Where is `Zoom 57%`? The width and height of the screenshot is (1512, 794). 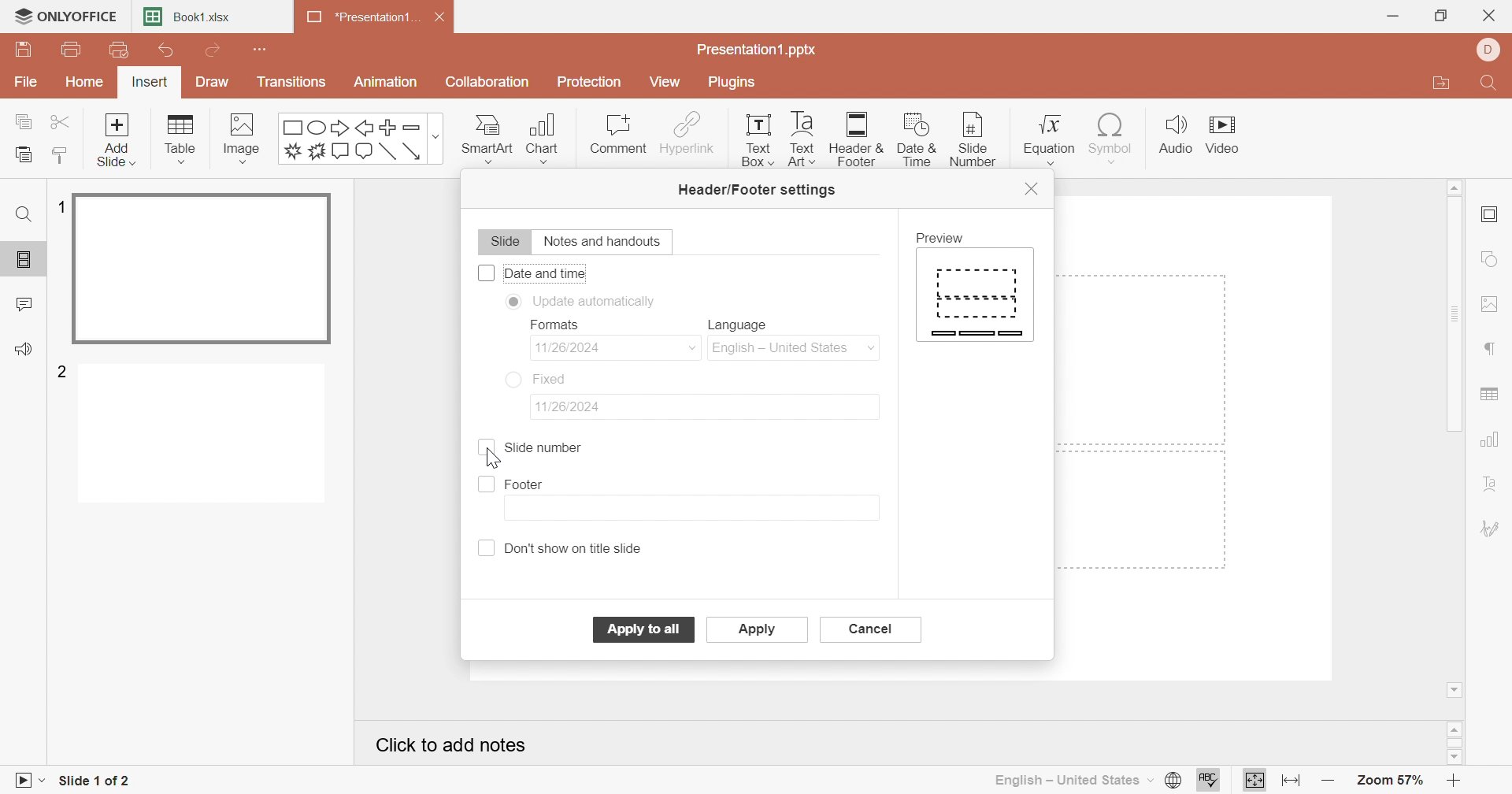 Zoom 57% is located at coordinates (1392, 783).